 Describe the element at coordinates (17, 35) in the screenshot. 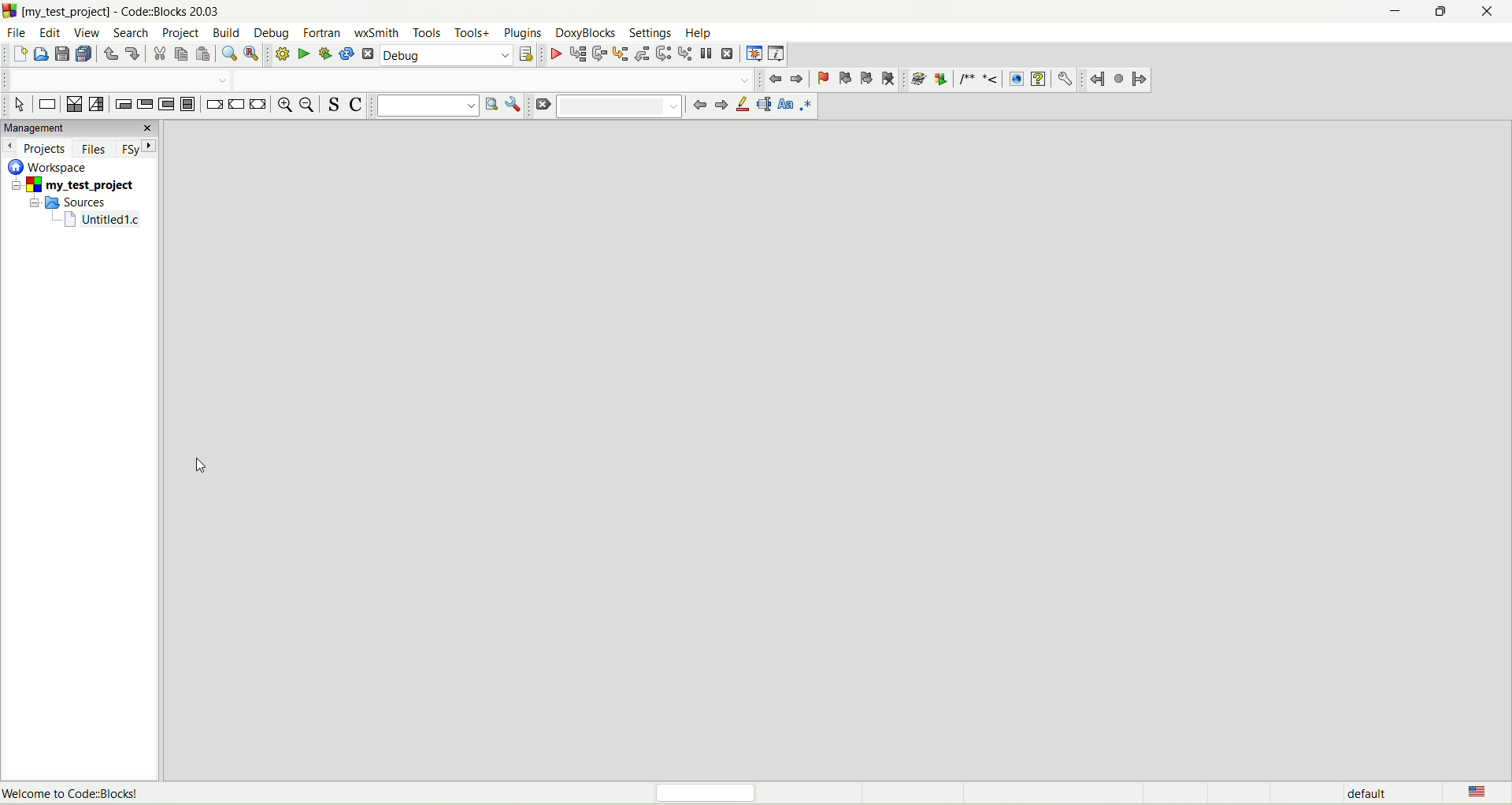

I see `file` at that location.